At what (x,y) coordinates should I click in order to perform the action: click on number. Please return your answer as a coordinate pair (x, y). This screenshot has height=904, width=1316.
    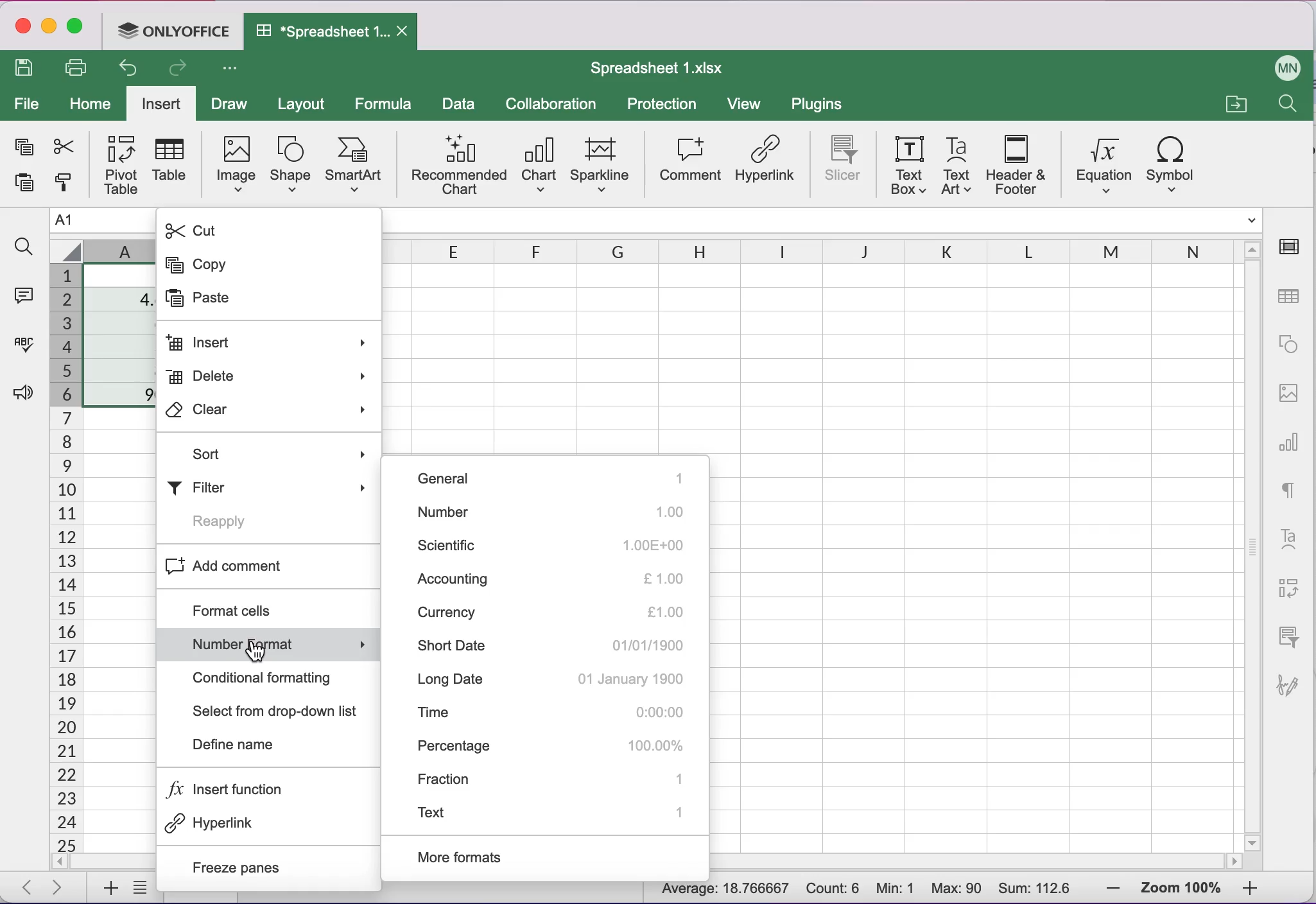
    Looking at the image, I should click on (558, 512).